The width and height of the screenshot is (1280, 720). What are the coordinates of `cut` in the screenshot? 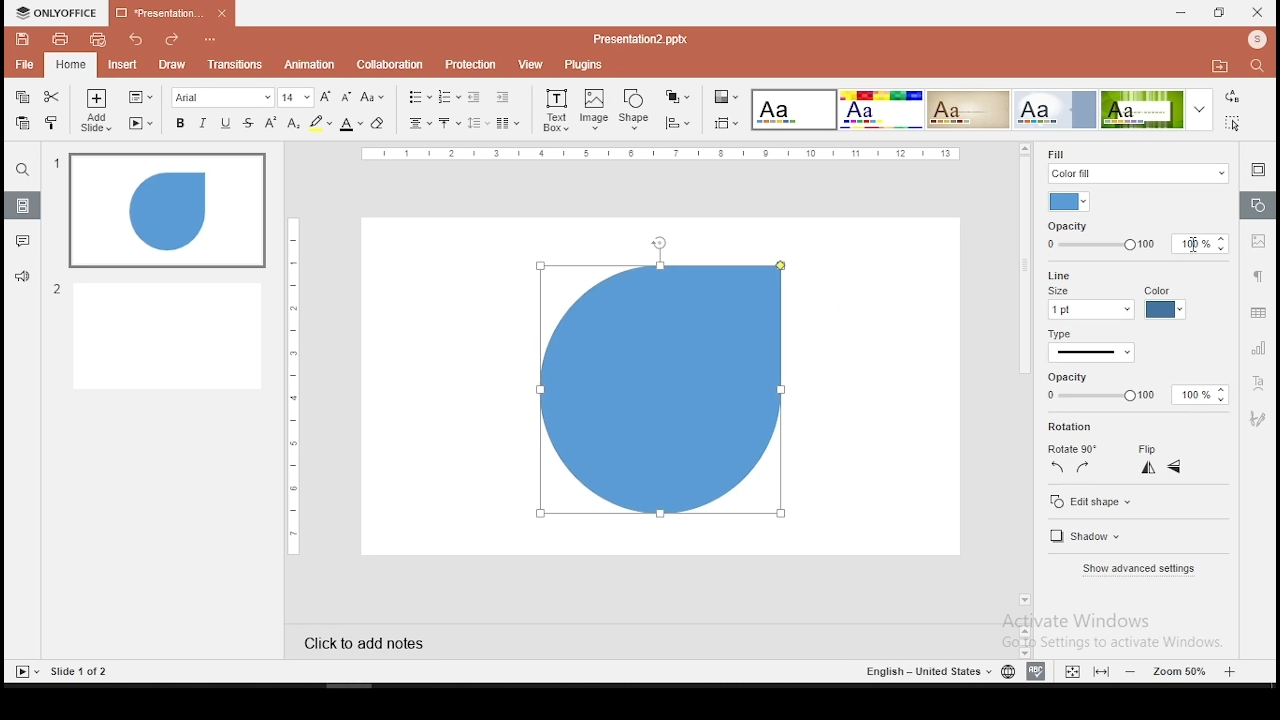 It's located at (51, 98).